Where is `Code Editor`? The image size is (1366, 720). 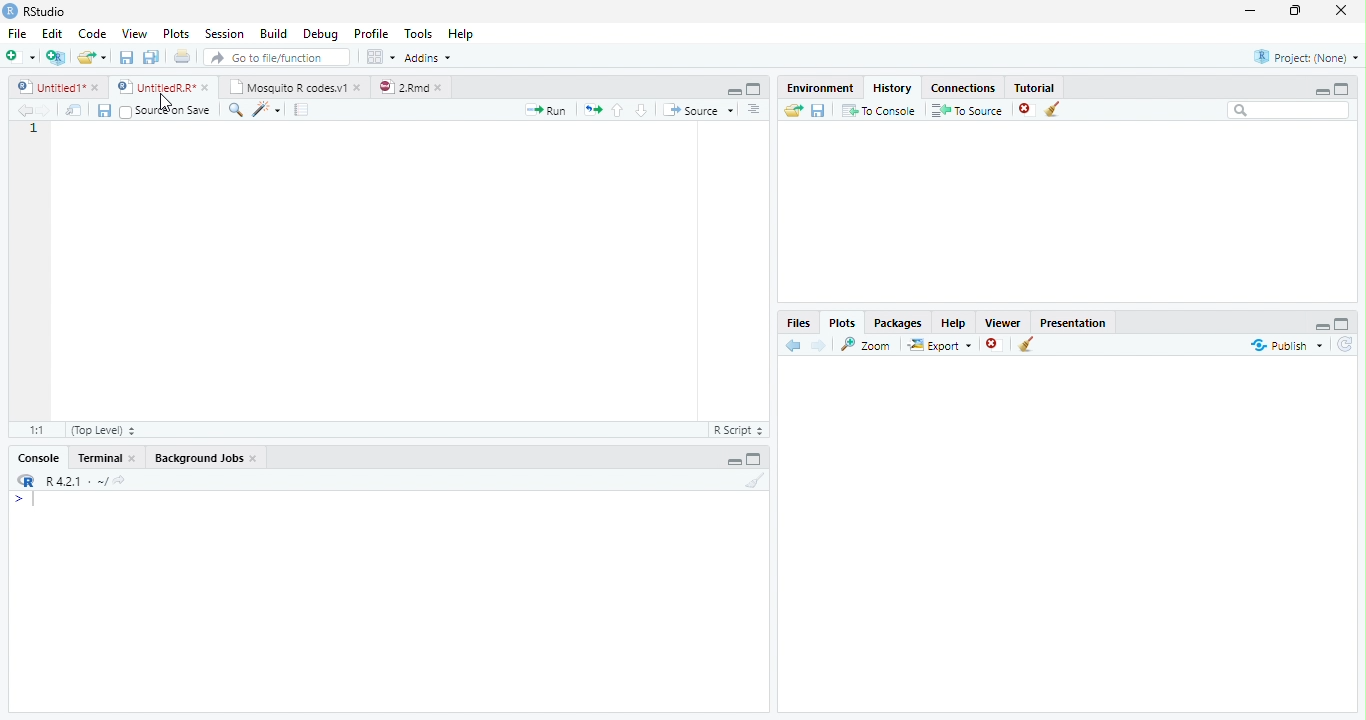 Code Editor is located at coordinates (371, 271).